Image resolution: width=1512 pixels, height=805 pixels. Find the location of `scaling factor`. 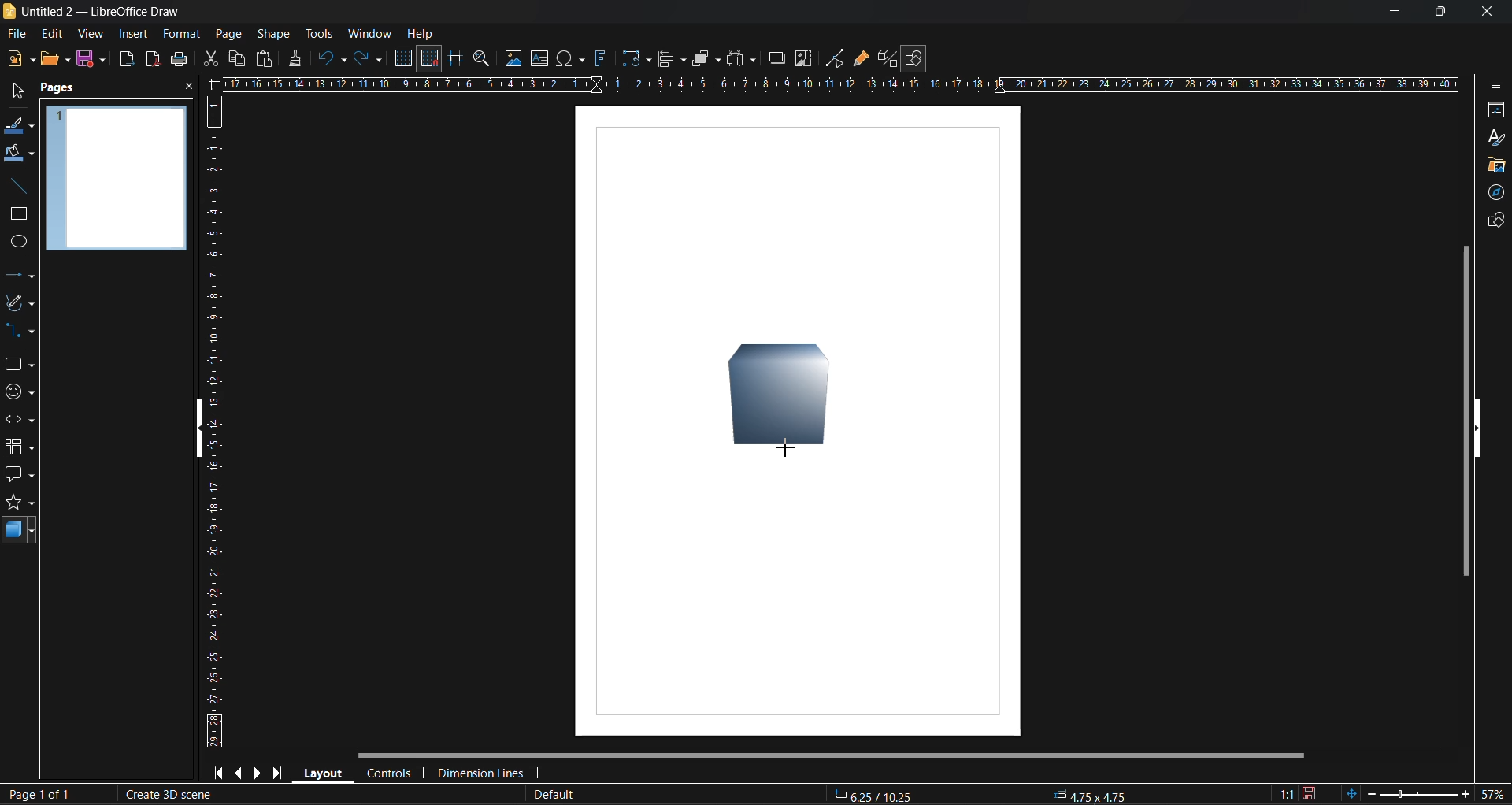

scaling factor is located at coordinates (1285, 791).